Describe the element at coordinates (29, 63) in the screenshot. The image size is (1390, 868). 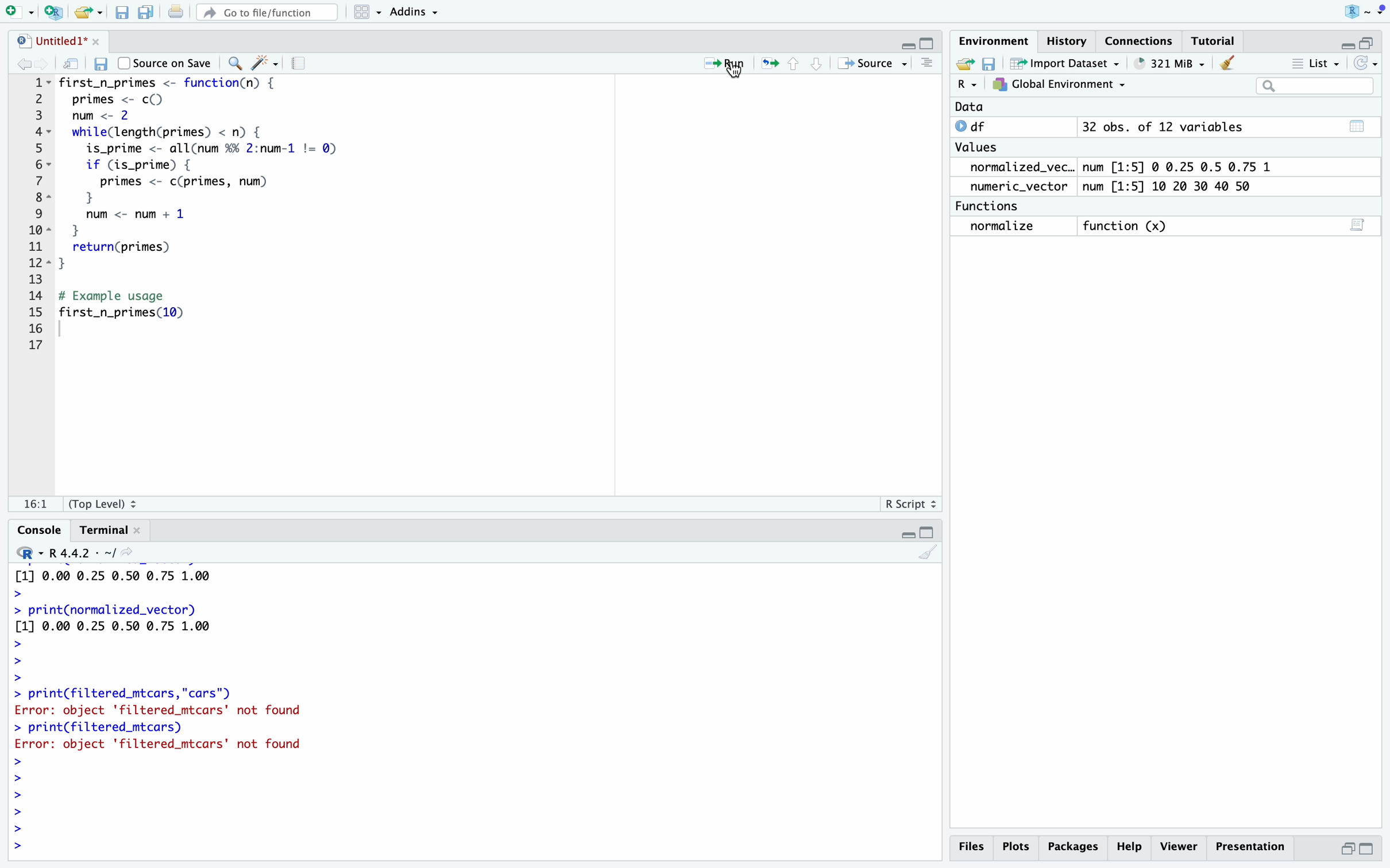
I see `forward/backward source location` at that location.